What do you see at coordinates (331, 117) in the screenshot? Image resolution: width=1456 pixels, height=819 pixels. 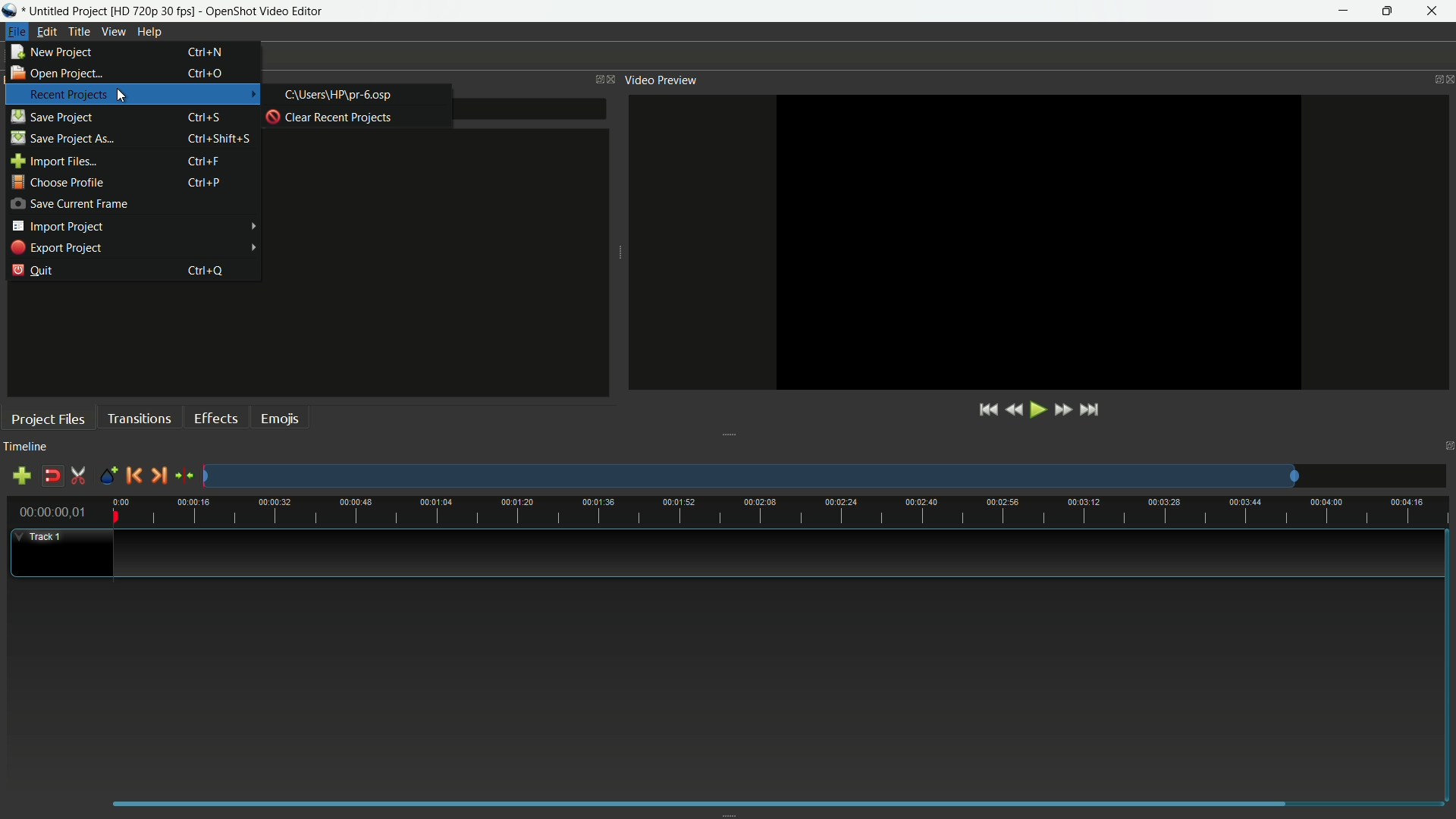 I see `clear recent project` at bounding box center [331, 117].